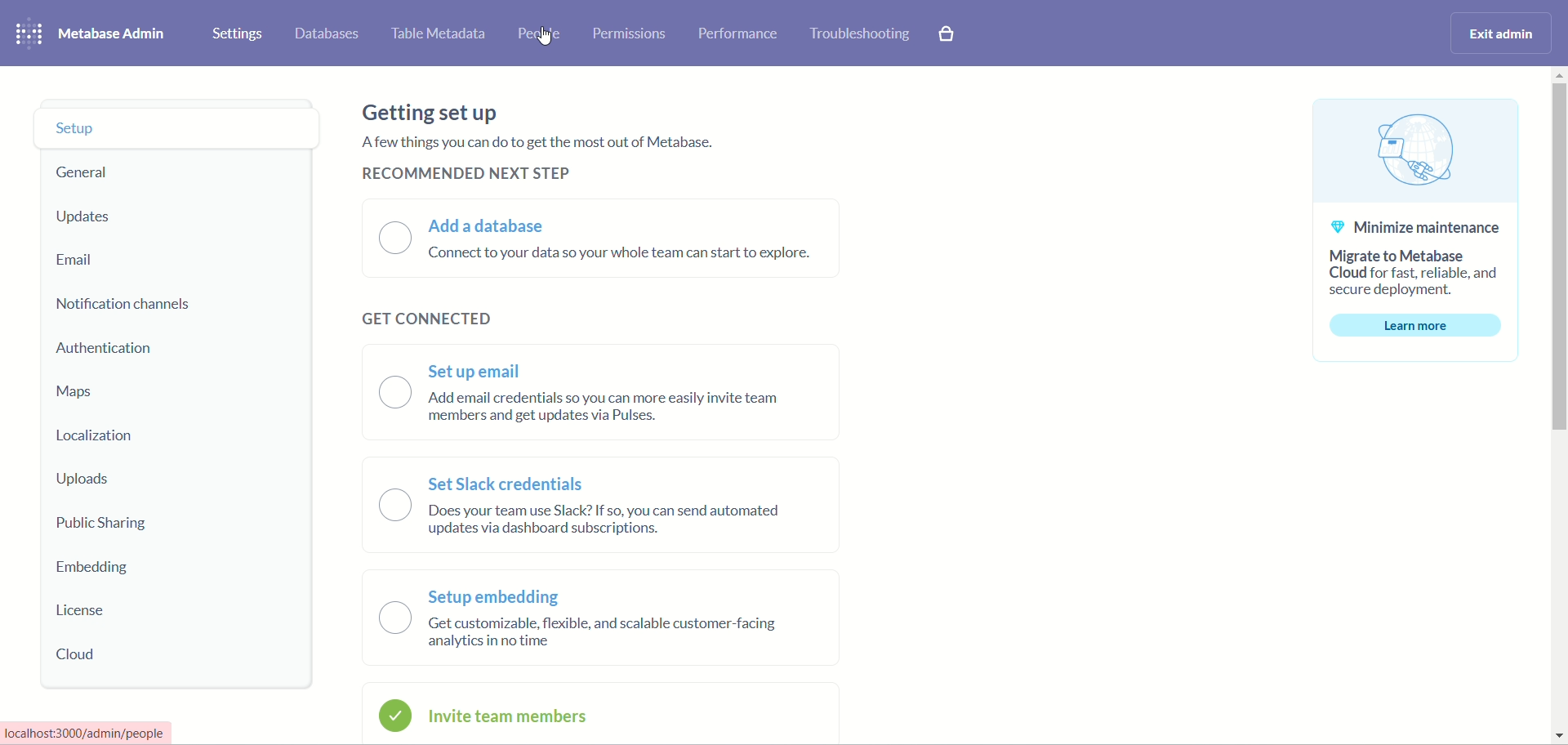 This screenshot has height=745, width=1568. Describe the element at coordinates (609, 638) in the screenshot. I see `text` at that location.